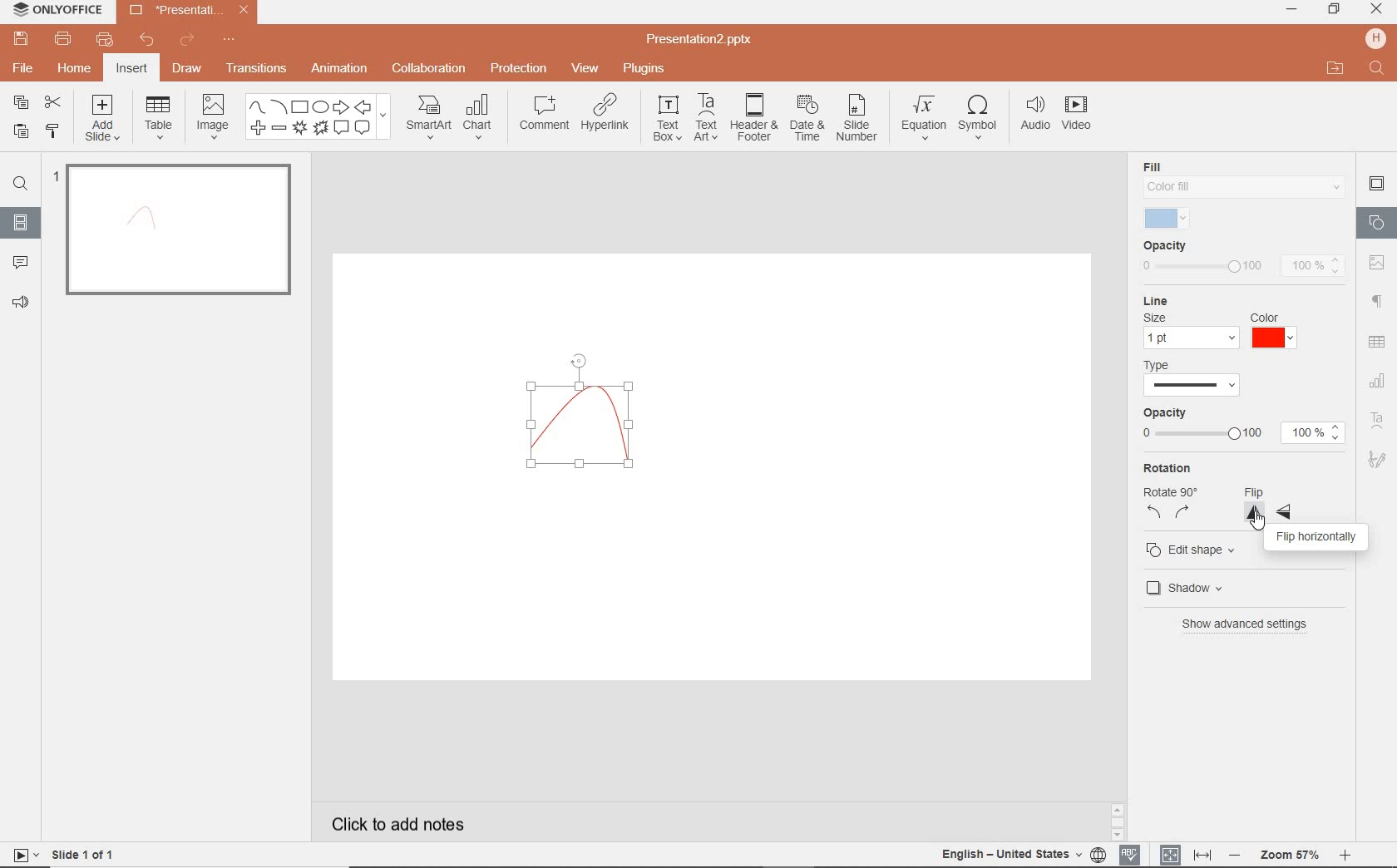 The width and height of the screenshot is (1397, 868). Describe the element at coordinates (1376, 69) in the screenshot. I see `FIND` at that location.